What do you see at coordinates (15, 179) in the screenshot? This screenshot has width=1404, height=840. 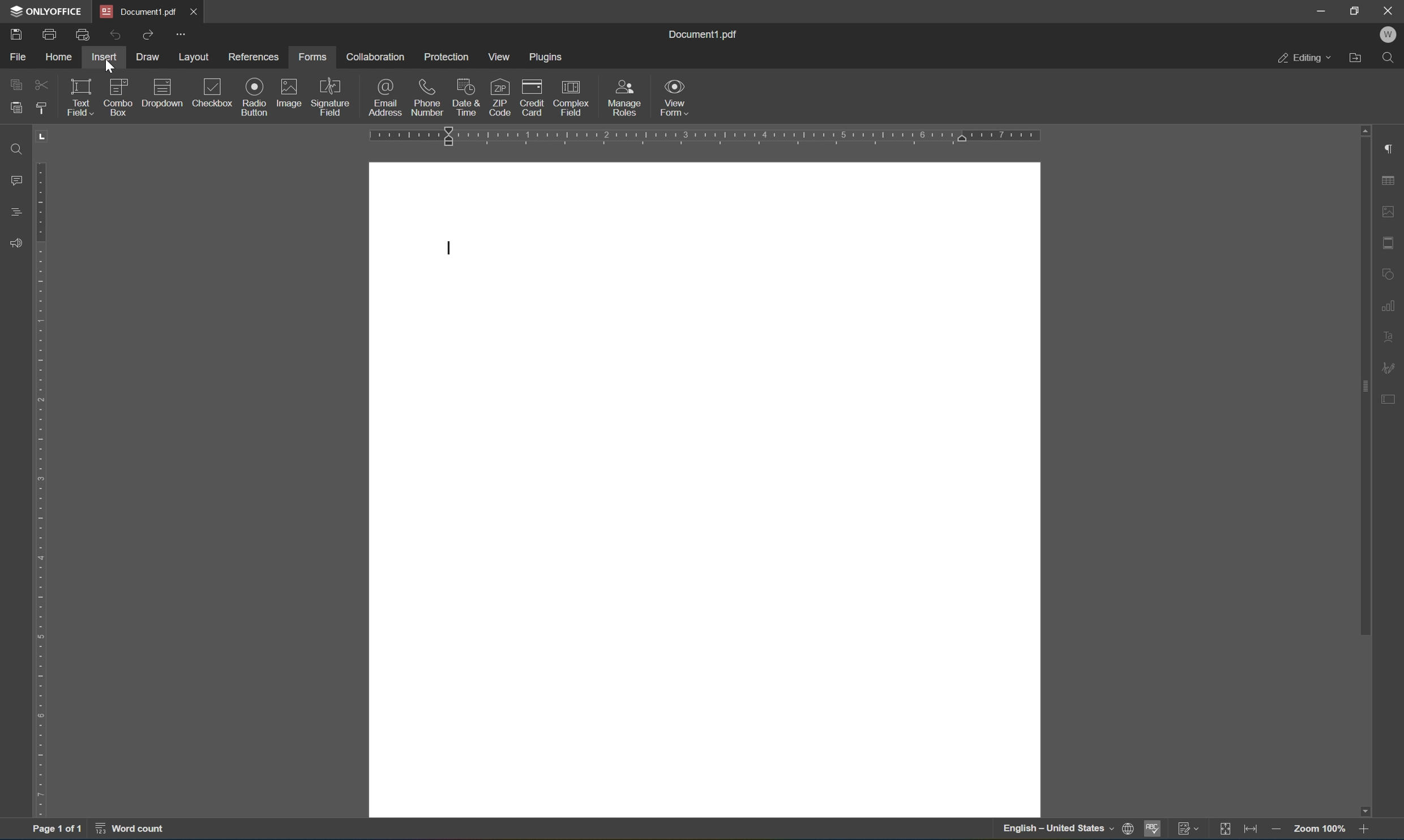 I see `comments` at bounding box center [15, 179].